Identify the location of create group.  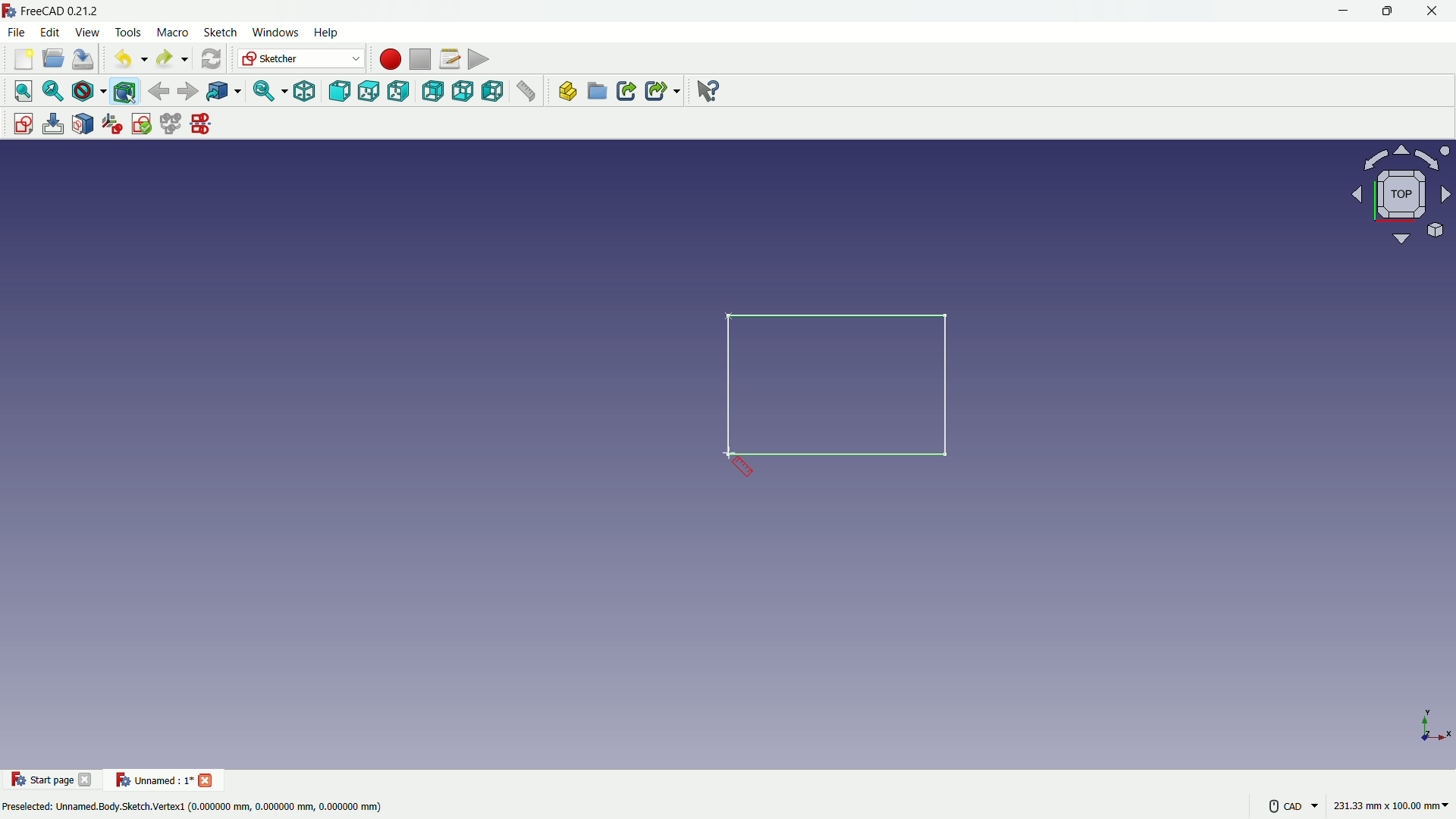
(598, 93).